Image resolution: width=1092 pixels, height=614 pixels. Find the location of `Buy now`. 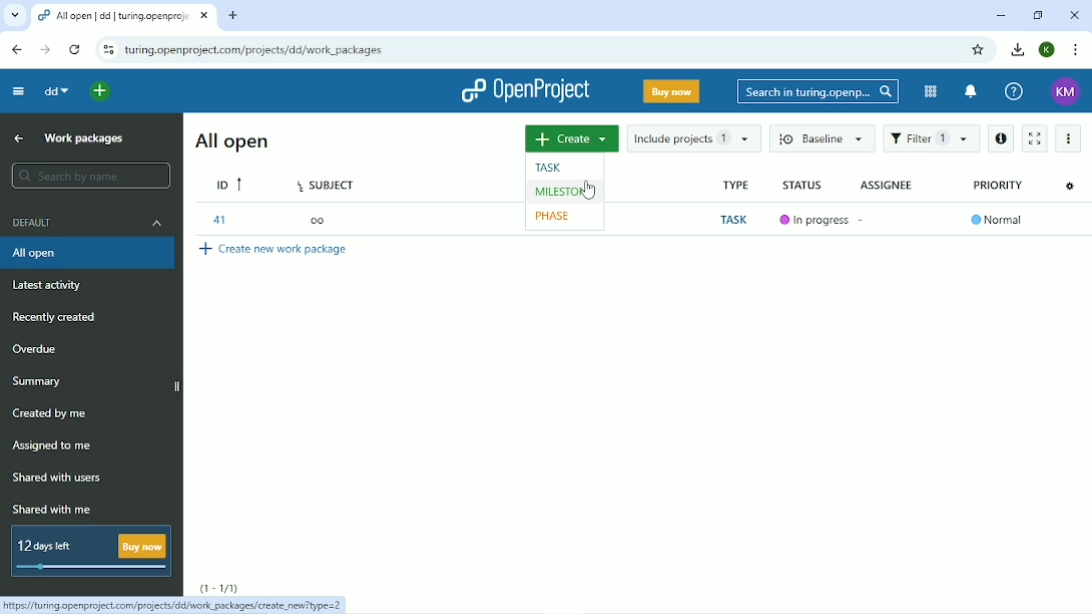

Buy now is located at coordinates (671, 91).